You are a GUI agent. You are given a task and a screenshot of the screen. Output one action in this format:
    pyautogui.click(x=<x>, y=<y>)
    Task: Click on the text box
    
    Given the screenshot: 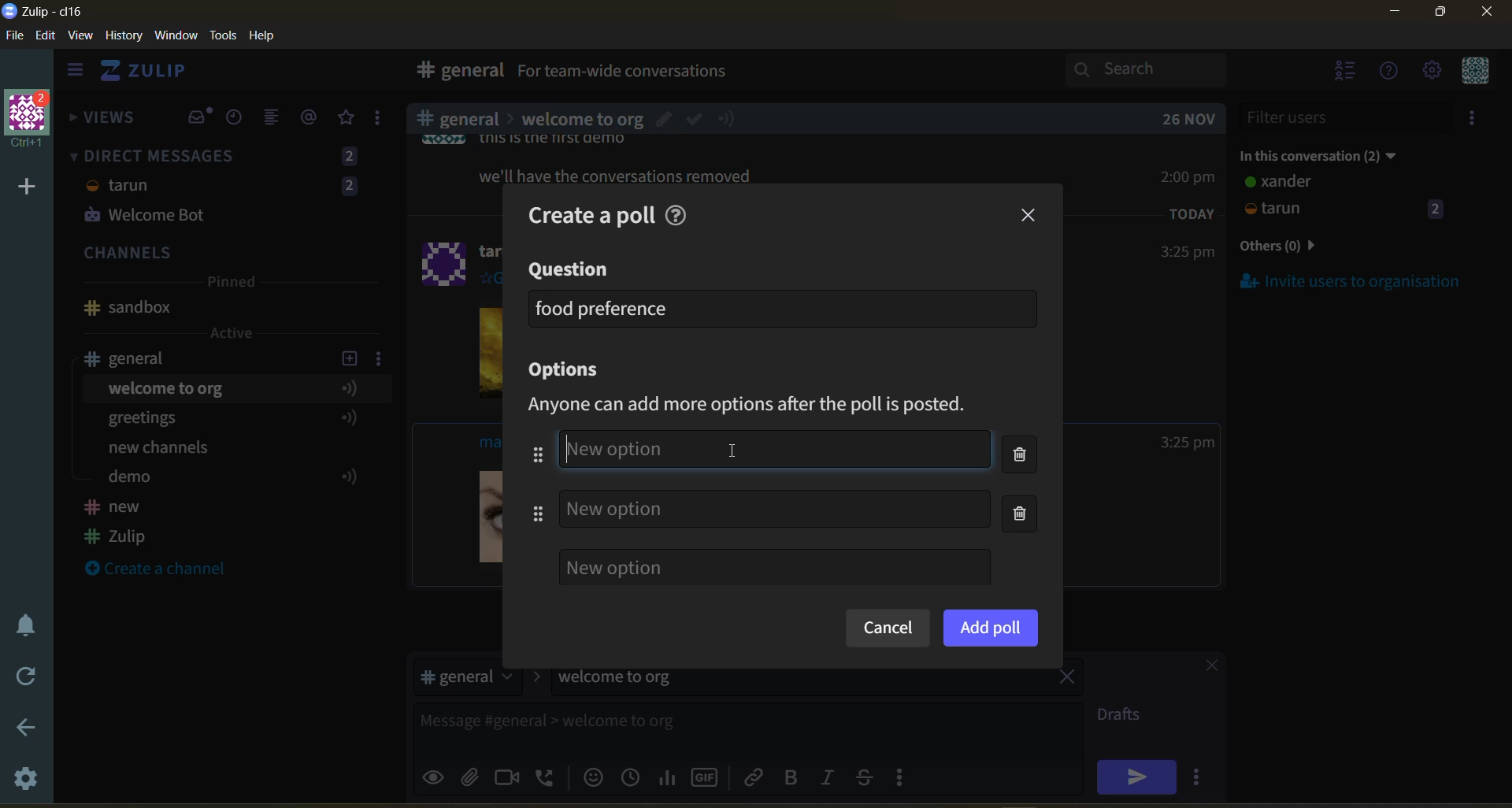 What is the action you would take?
    pyautogui.click(x=707, y=727)
    